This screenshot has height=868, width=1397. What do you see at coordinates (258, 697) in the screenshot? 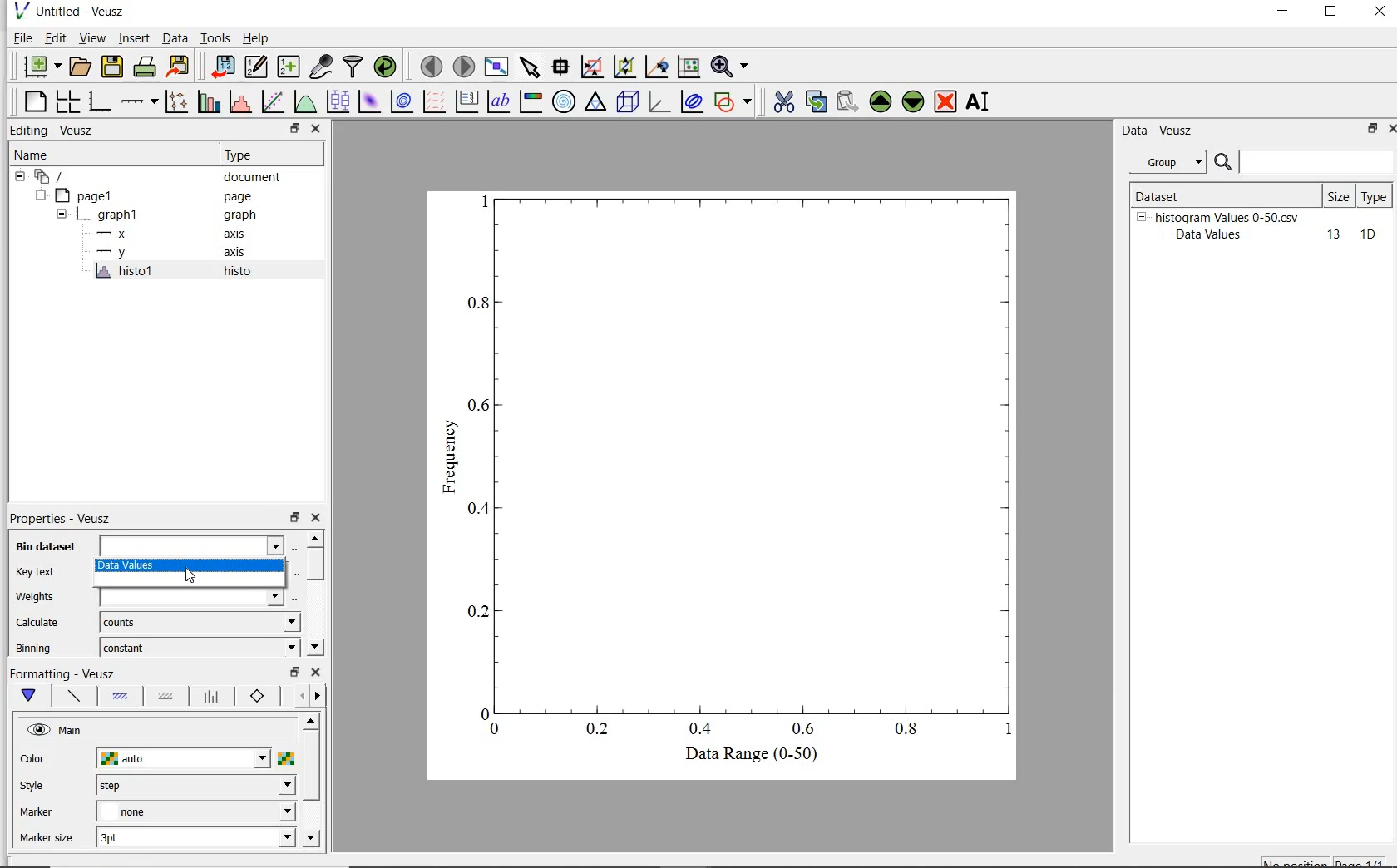
I see `marker border` at bounding box center [258, 697].